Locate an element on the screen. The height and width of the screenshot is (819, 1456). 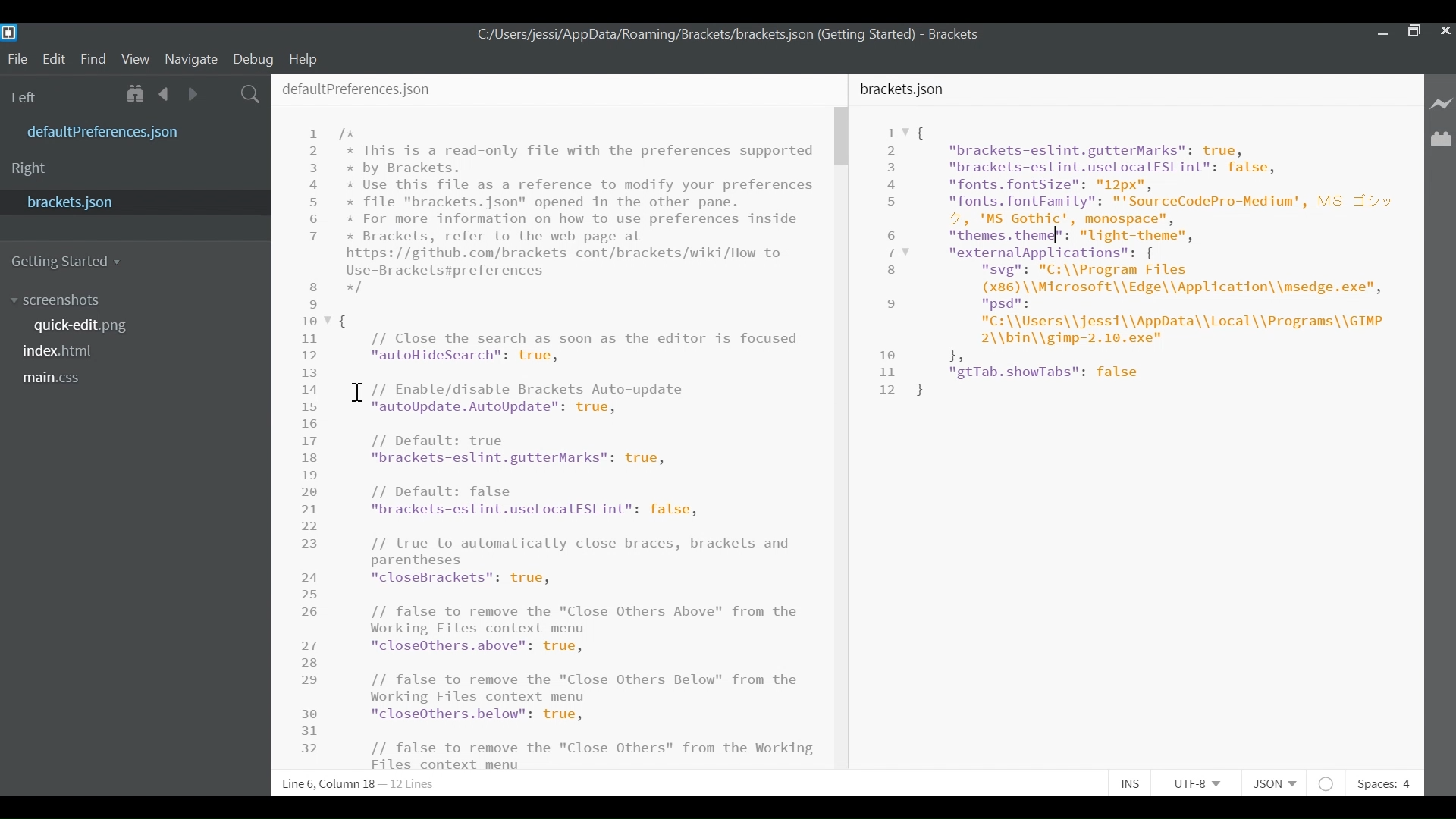
quickedit.png is located at coordinates (89, 325).